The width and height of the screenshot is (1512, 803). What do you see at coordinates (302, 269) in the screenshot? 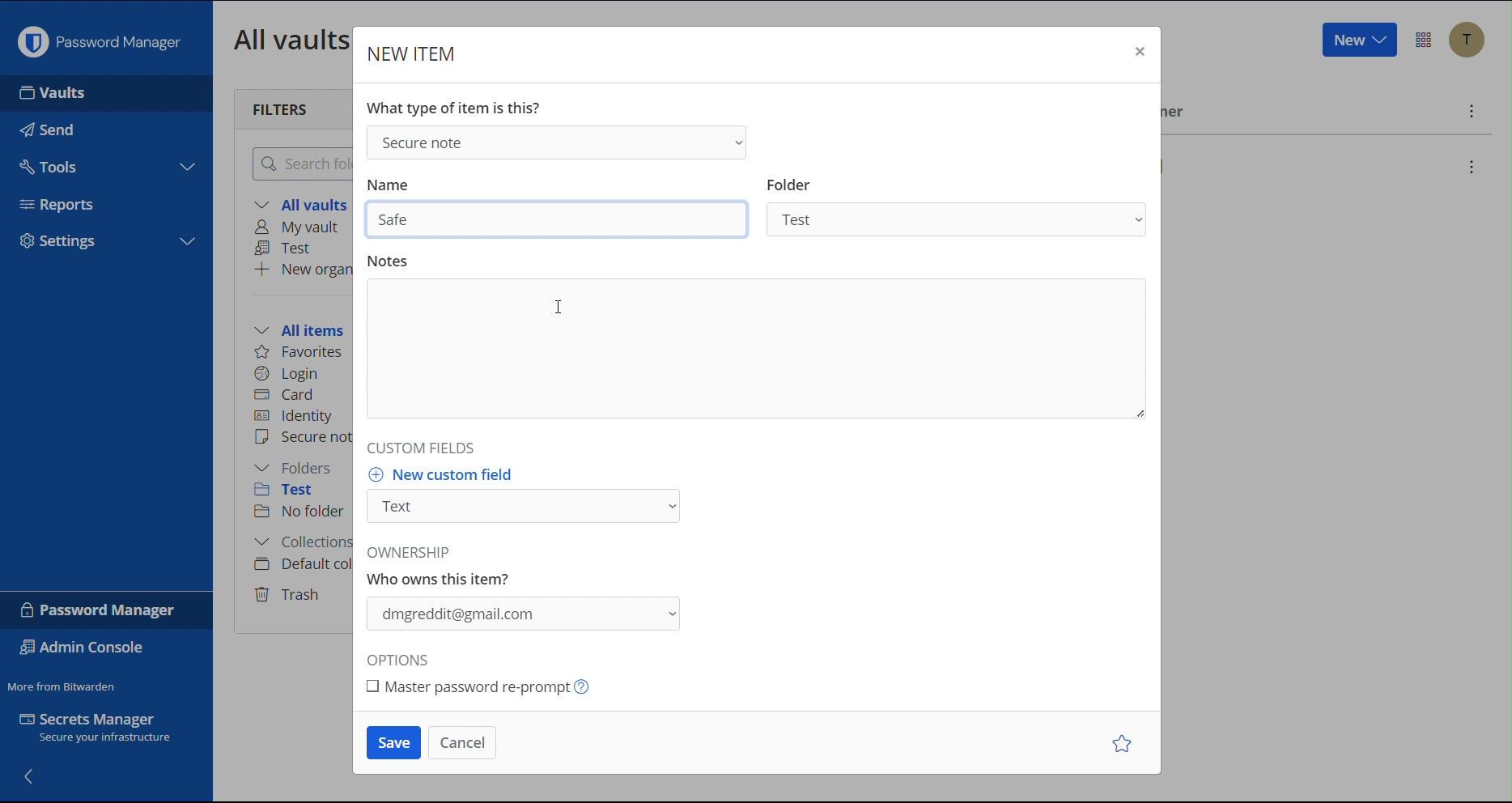
I see `New organization` at bounding box center [302, 269].